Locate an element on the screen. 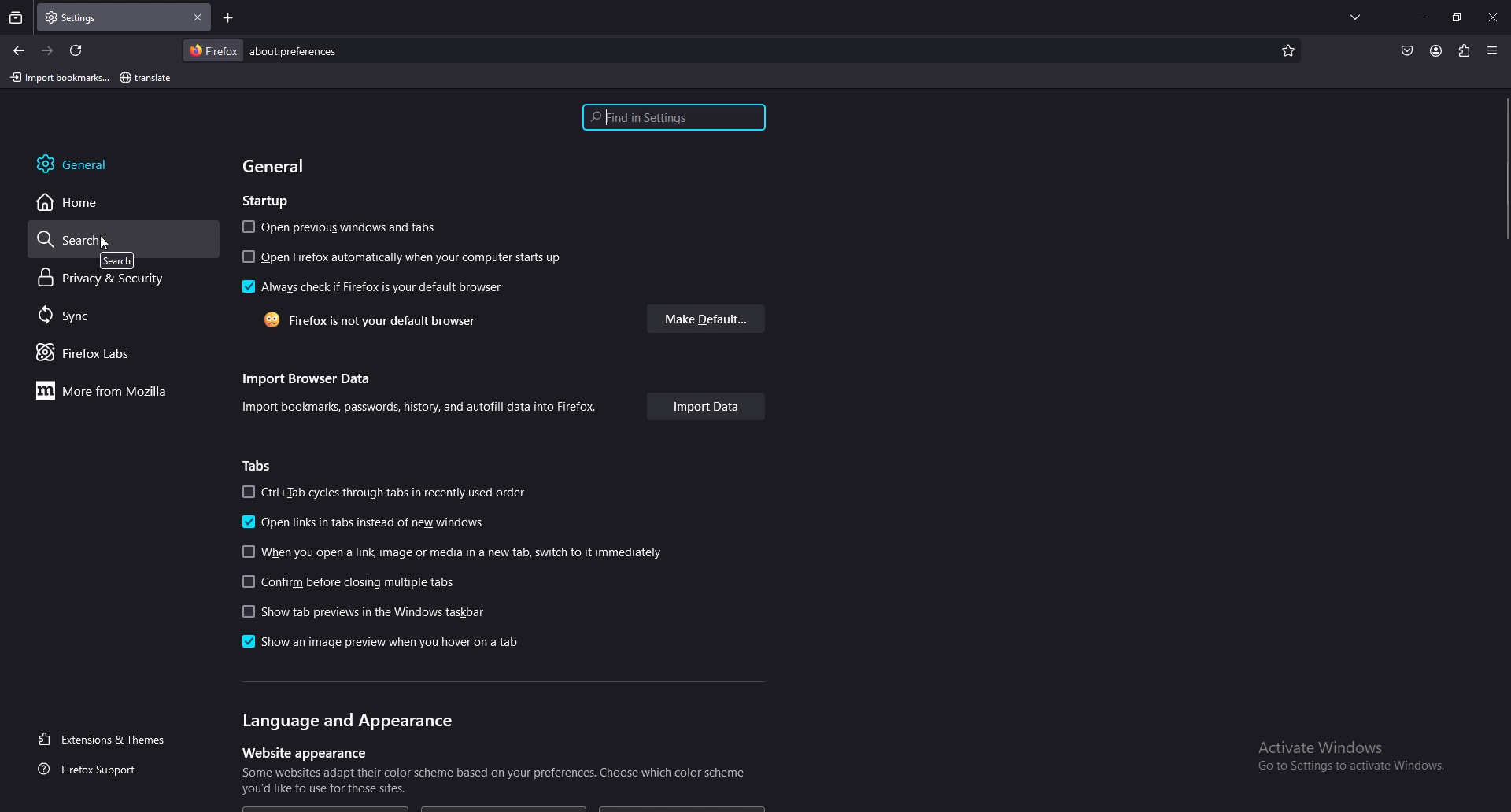  show an image preview is located at coordinates (379, 643).